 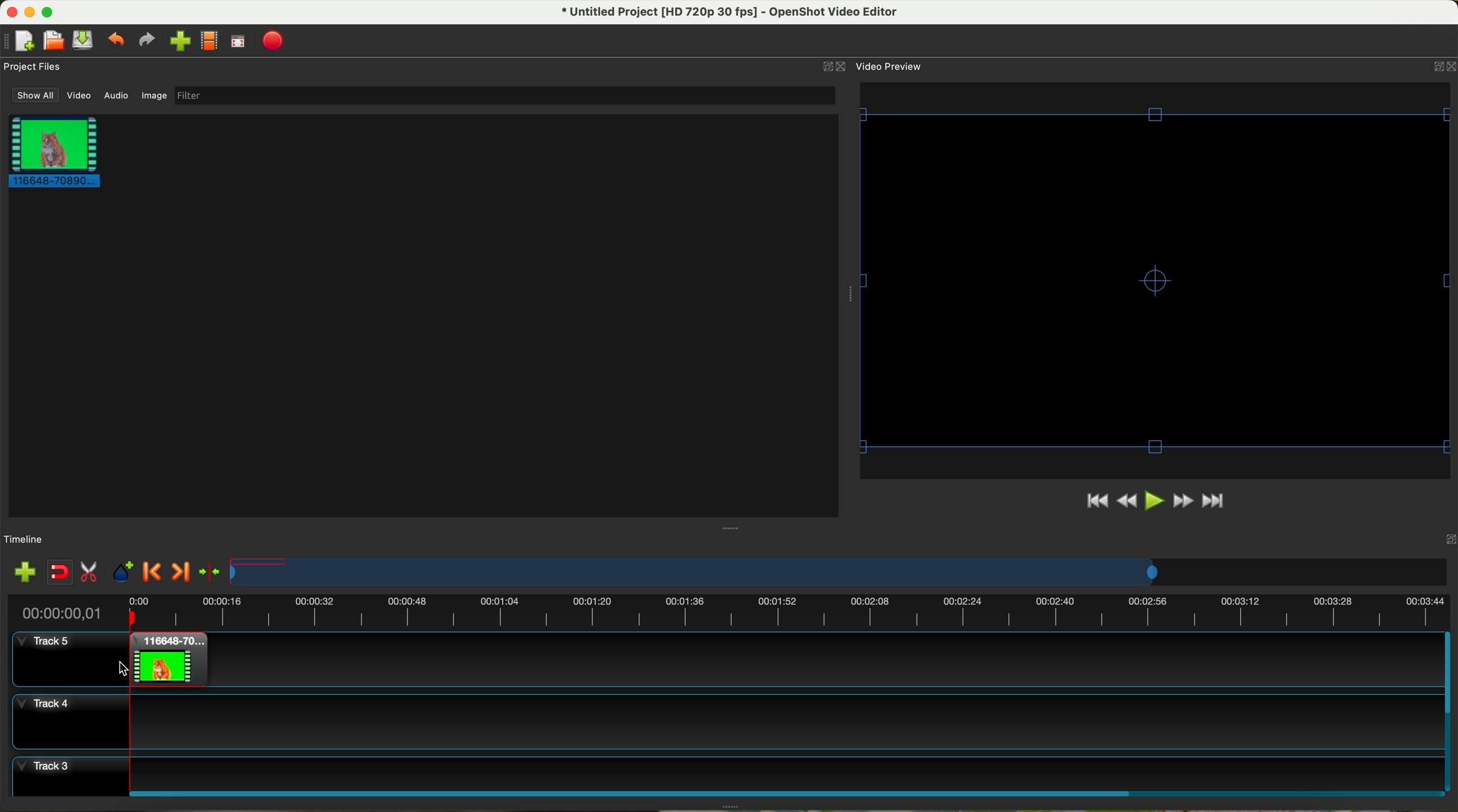 I want to click on add mark, so click(x=123, y=572).